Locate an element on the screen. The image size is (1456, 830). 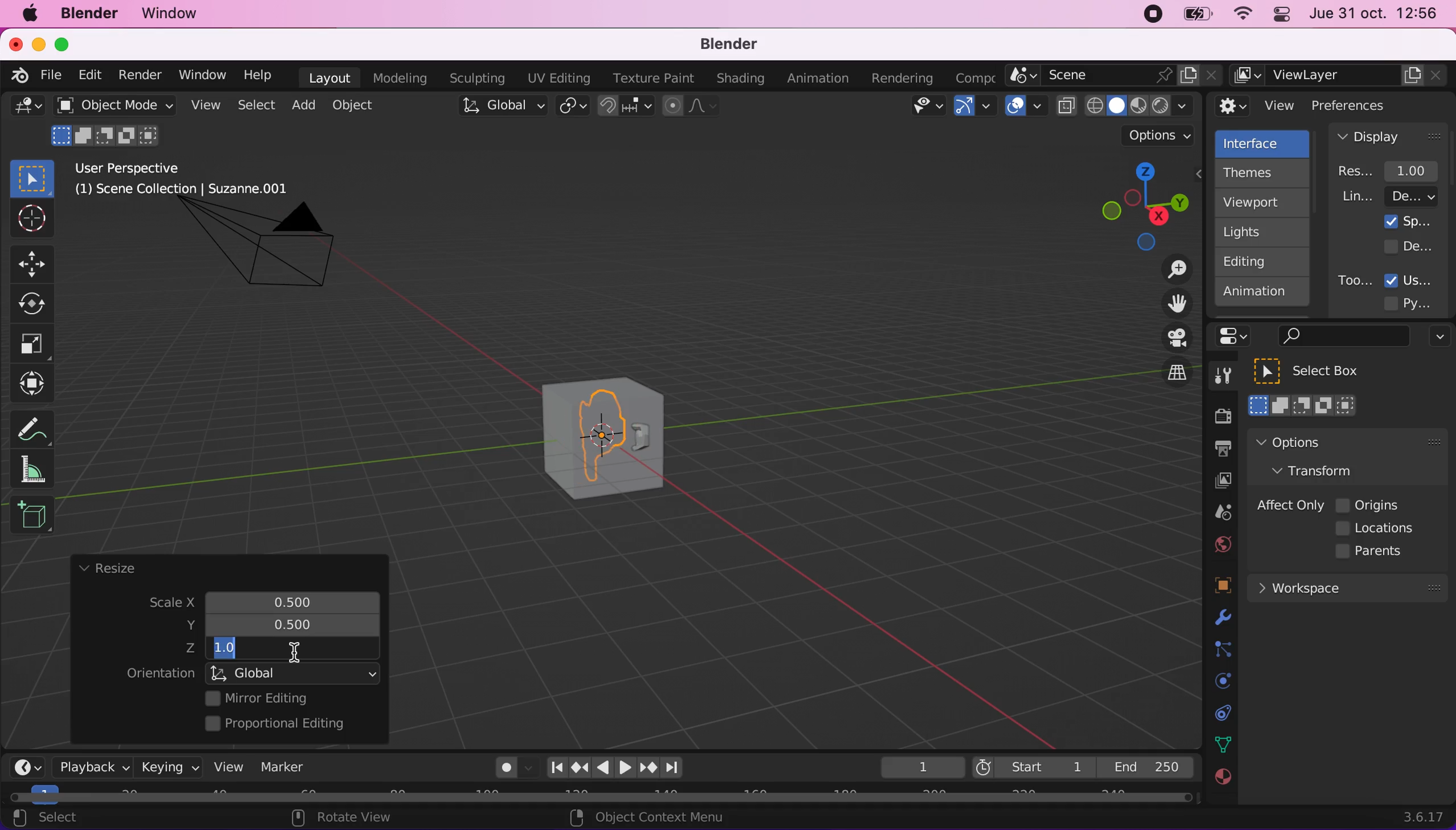
developer extras is located at coordinates (1410, 246).